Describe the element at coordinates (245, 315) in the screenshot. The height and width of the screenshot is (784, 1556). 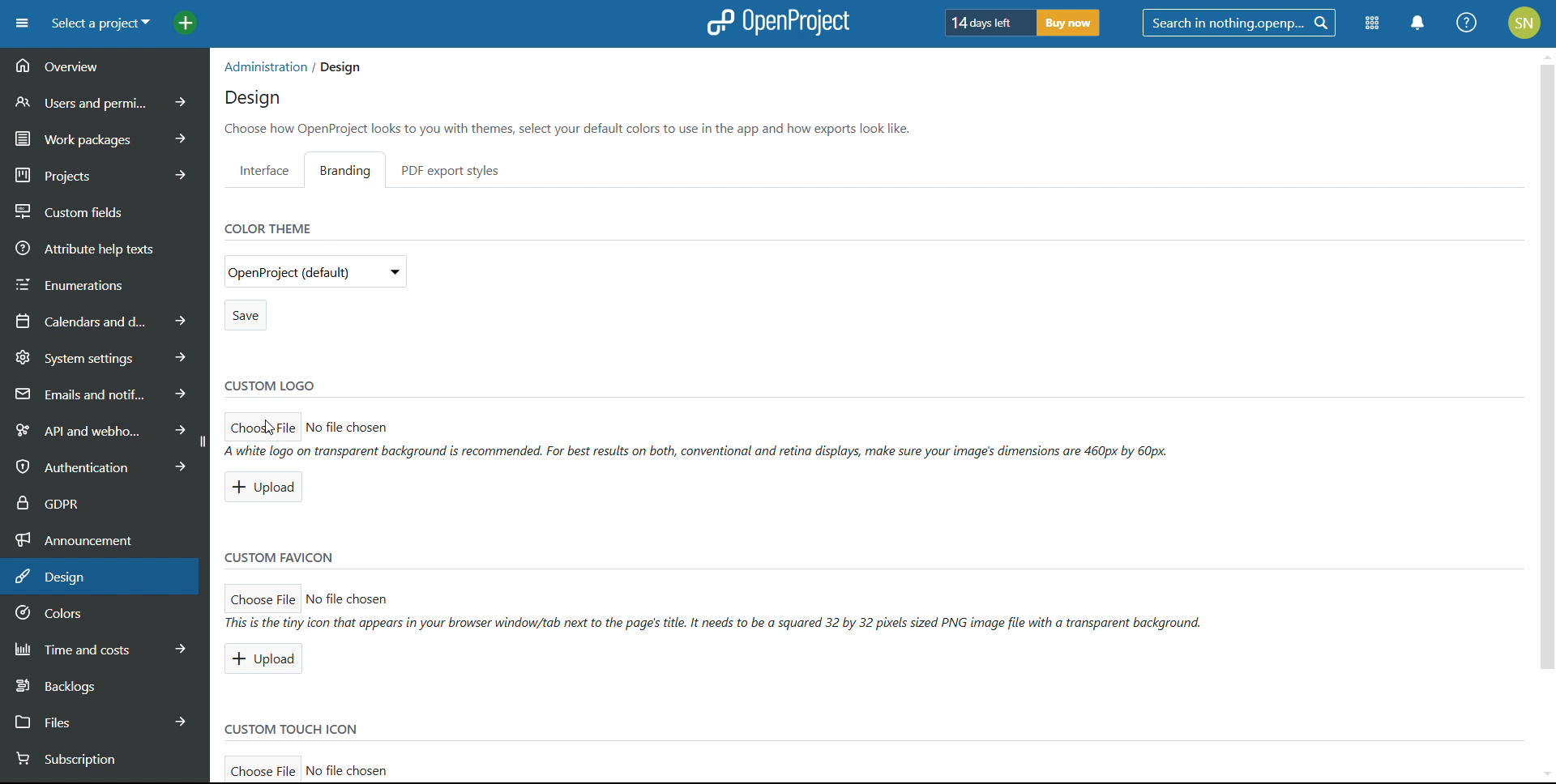
I see `save` at that location.